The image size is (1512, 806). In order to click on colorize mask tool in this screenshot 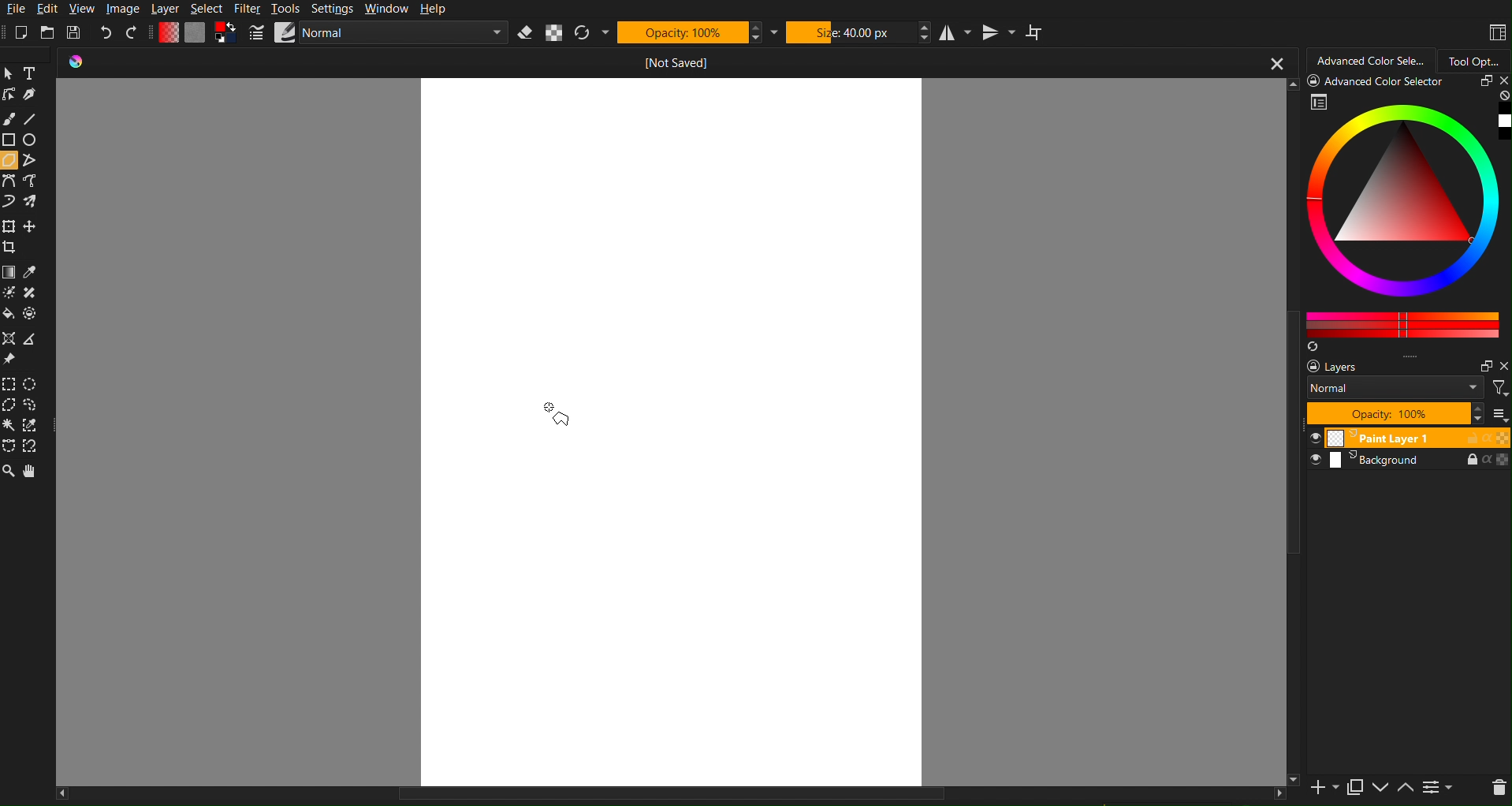, I will do `click(12, 293)`.